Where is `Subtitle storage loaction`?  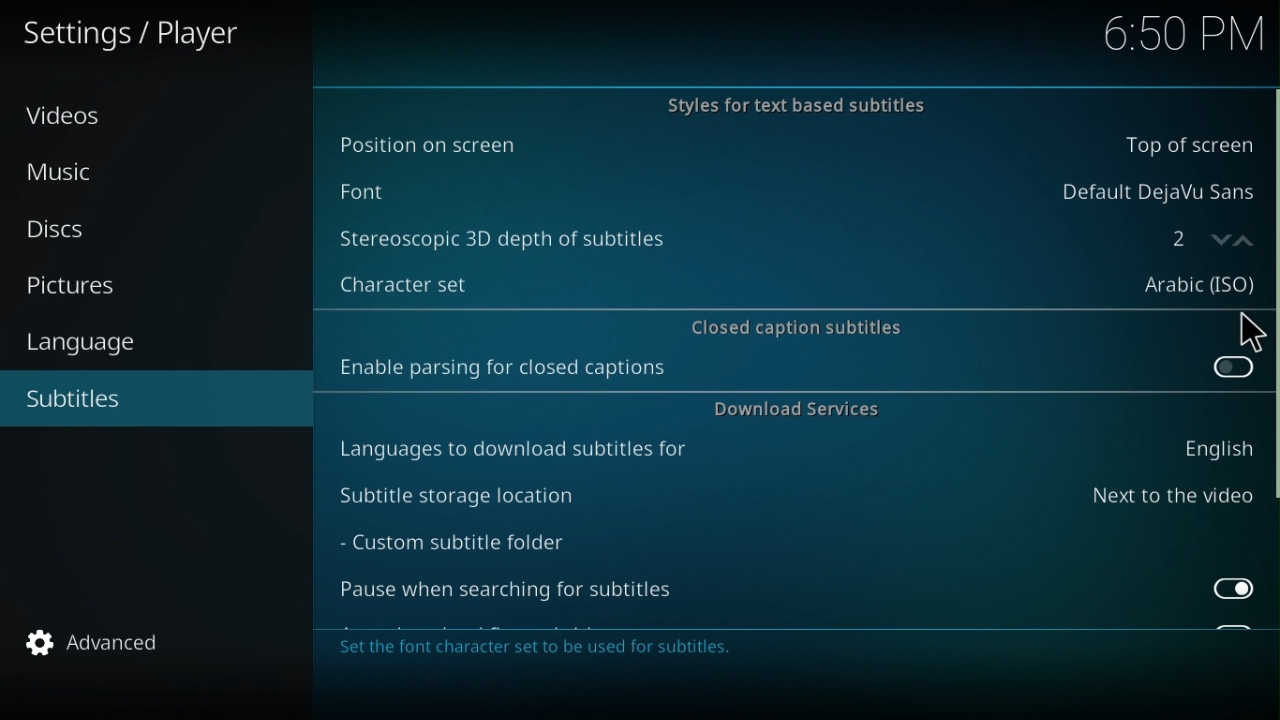
Subtitle storage loaction is located at coordinates (700, 496).